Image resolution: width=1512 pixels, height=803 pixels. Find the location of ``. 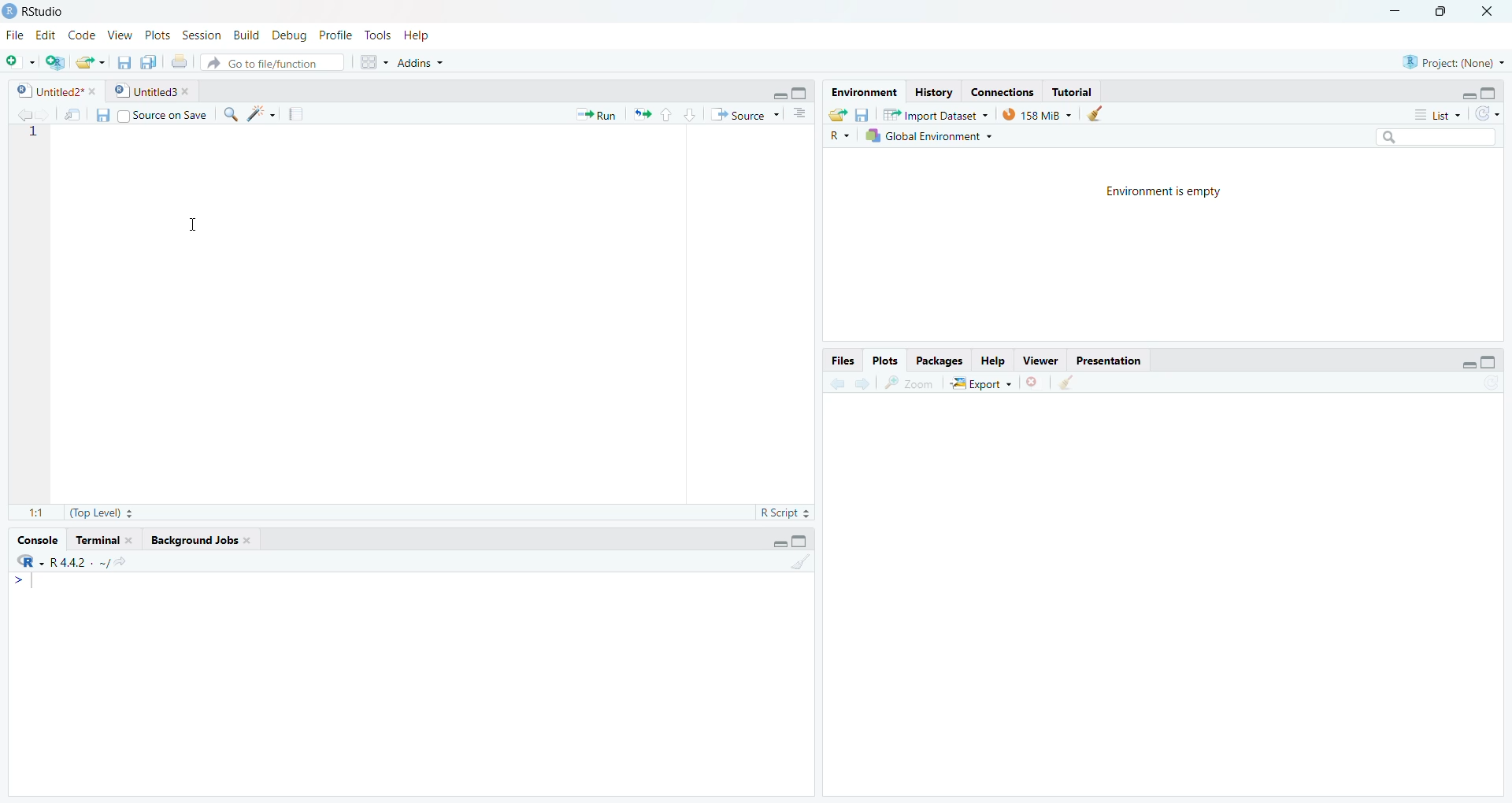

 is located at coordinates (862, 114).